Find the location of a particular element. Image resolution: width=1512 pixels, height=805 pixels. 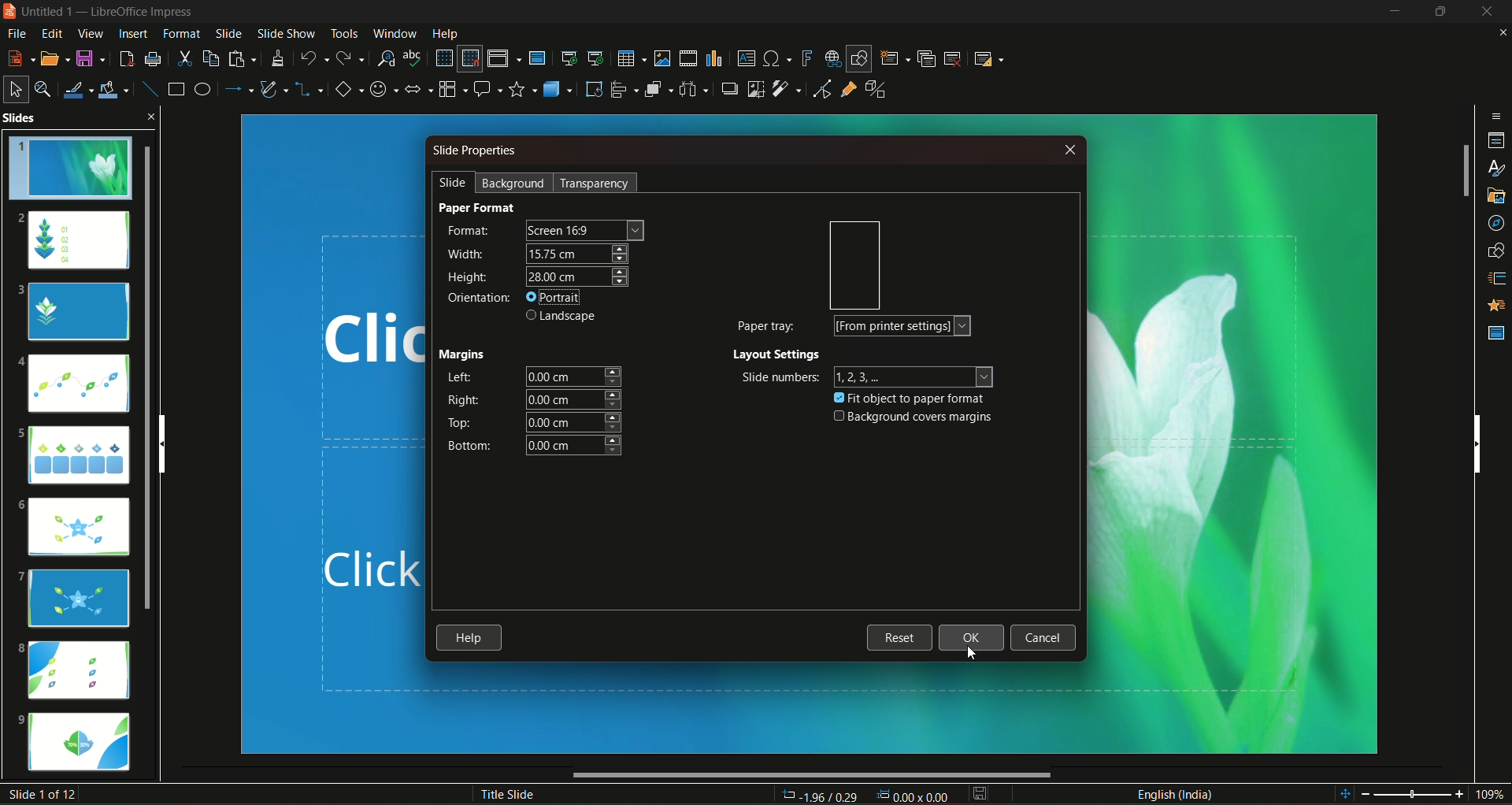

top margin is located at coordinates (575, 422).